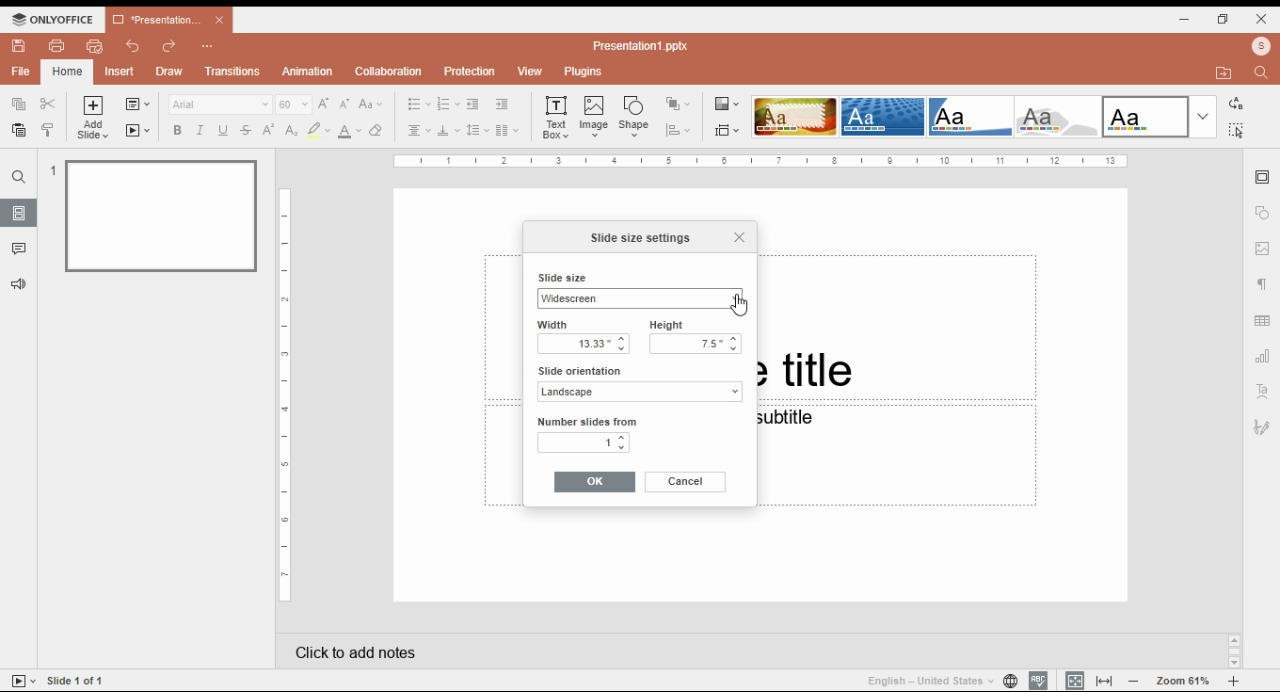 Image resolution: width=1280 pixels, height=692 pixels. What do you see at coordinates (1264, 356) in the screenshot?
I see `chart settings` at bounding box center [1264, 356].